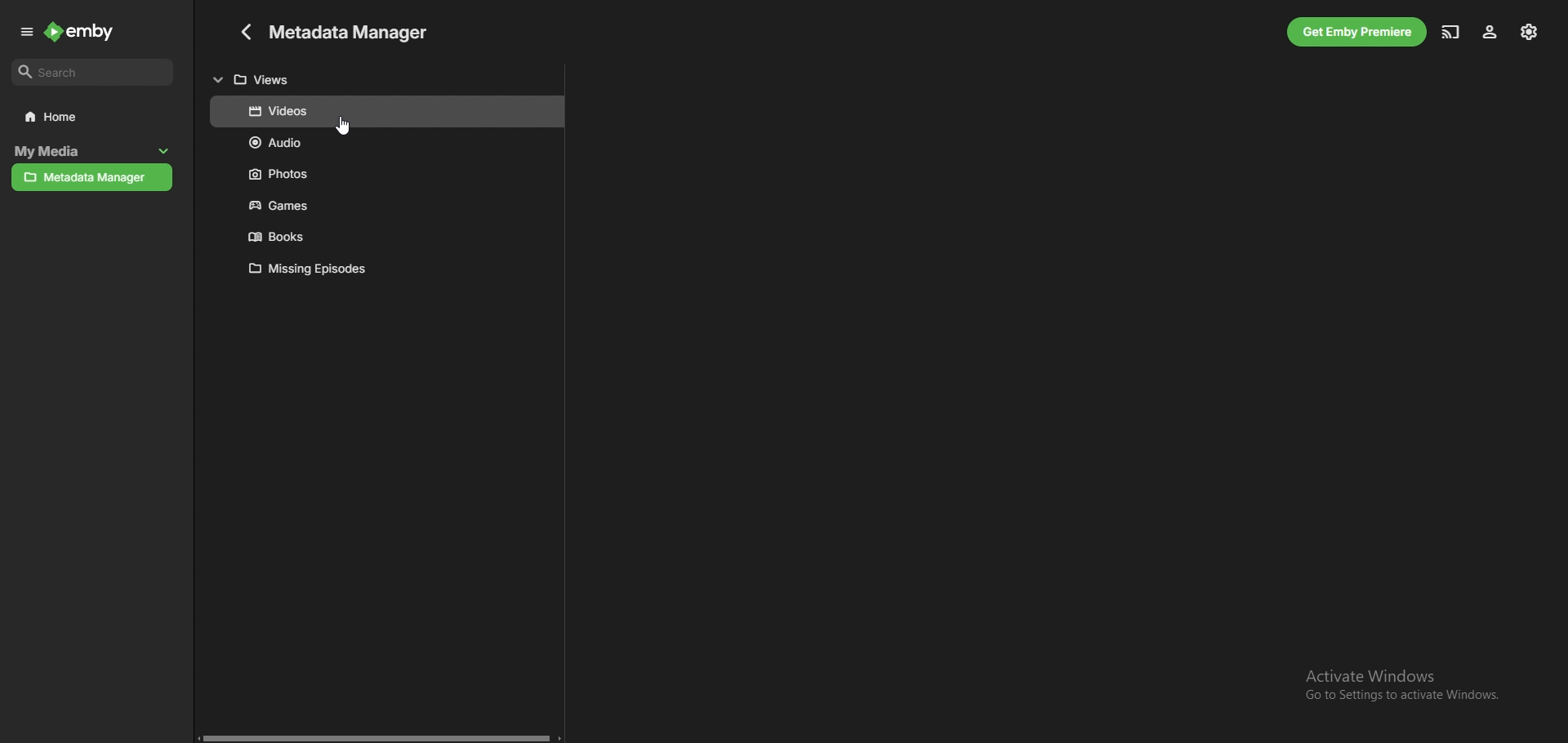  Describe the element at coordinates (386, 143) in the screenshot. I see `audio` at that location.